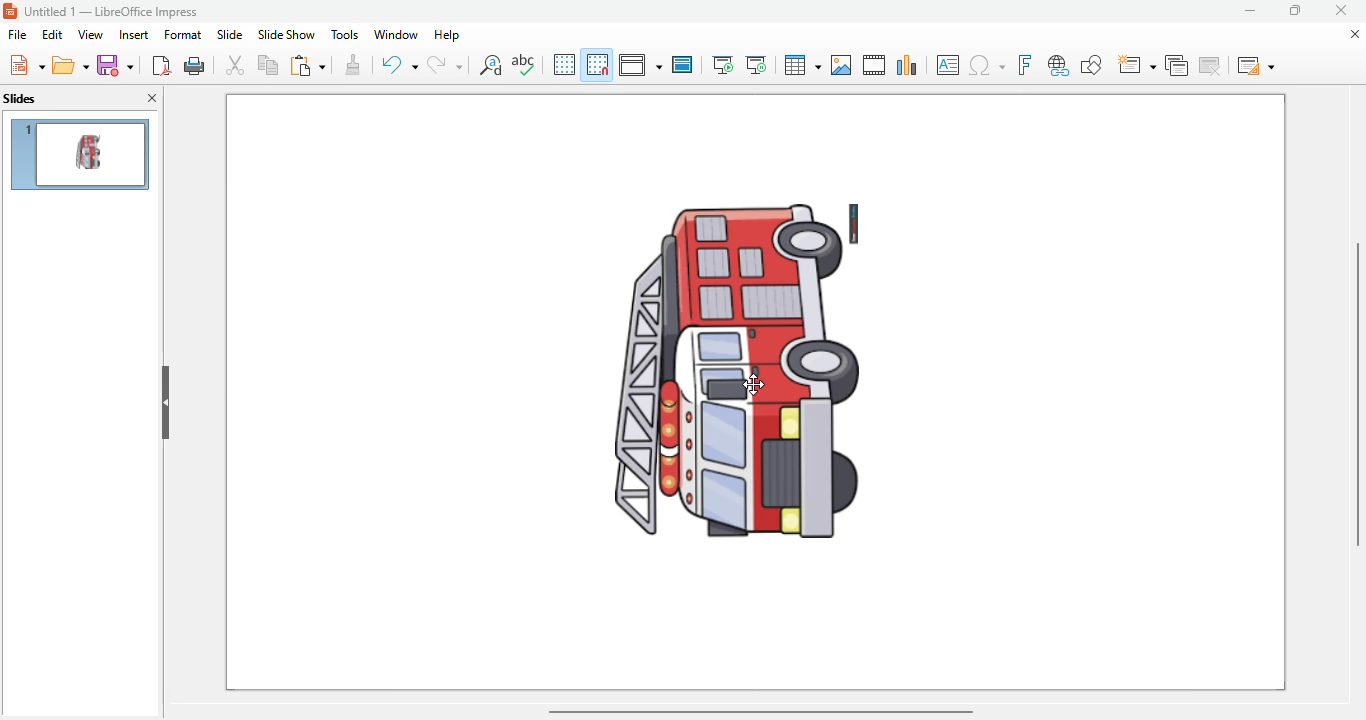  Describe the element at coordinates (161, 65) in the screenshot. I see `export directly as PDF` at that location.